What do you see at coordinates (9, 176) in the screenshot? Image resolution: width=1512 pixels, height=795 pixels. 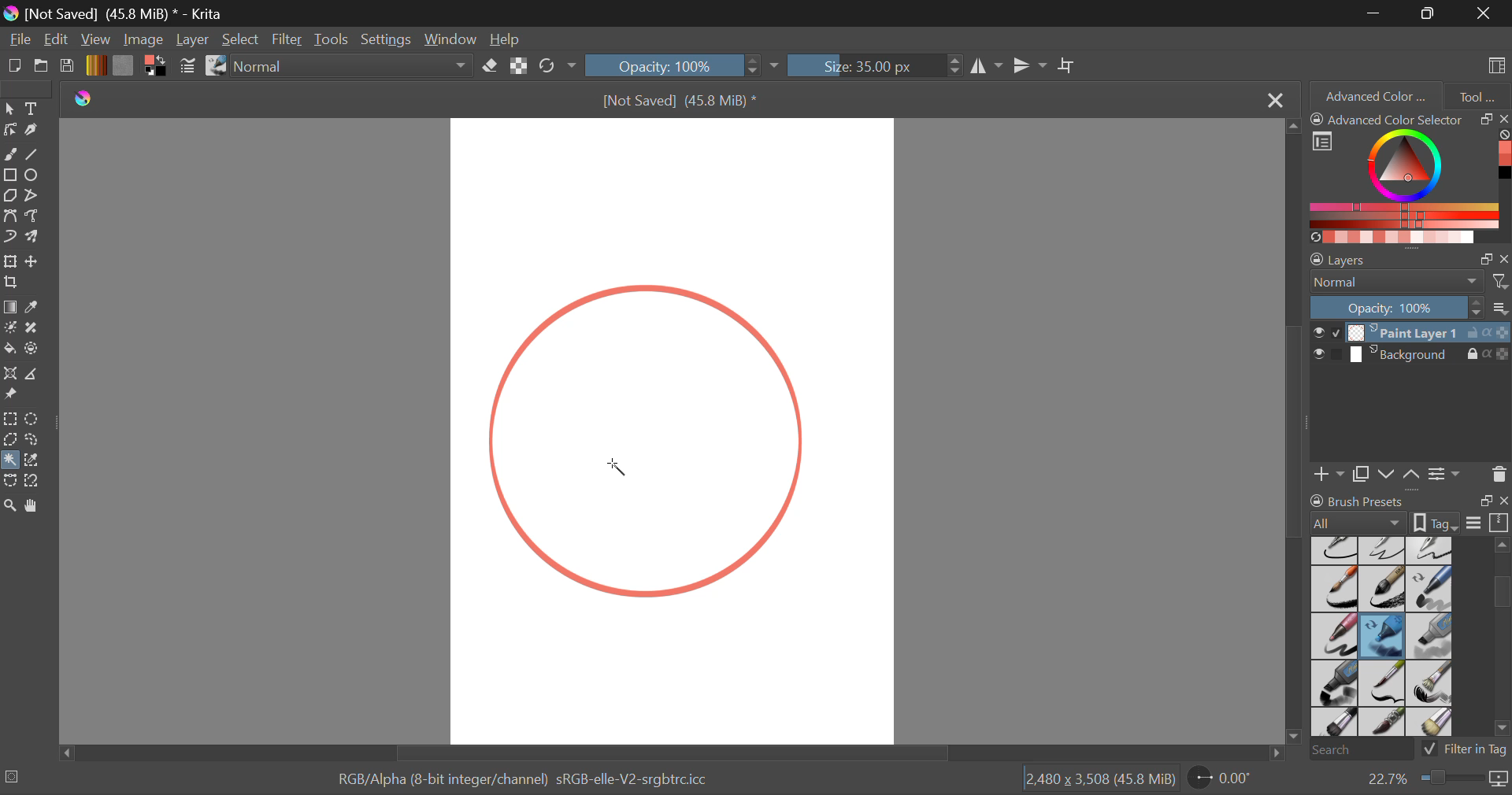 I see `Rectangle` at bounding box center [9, 176].